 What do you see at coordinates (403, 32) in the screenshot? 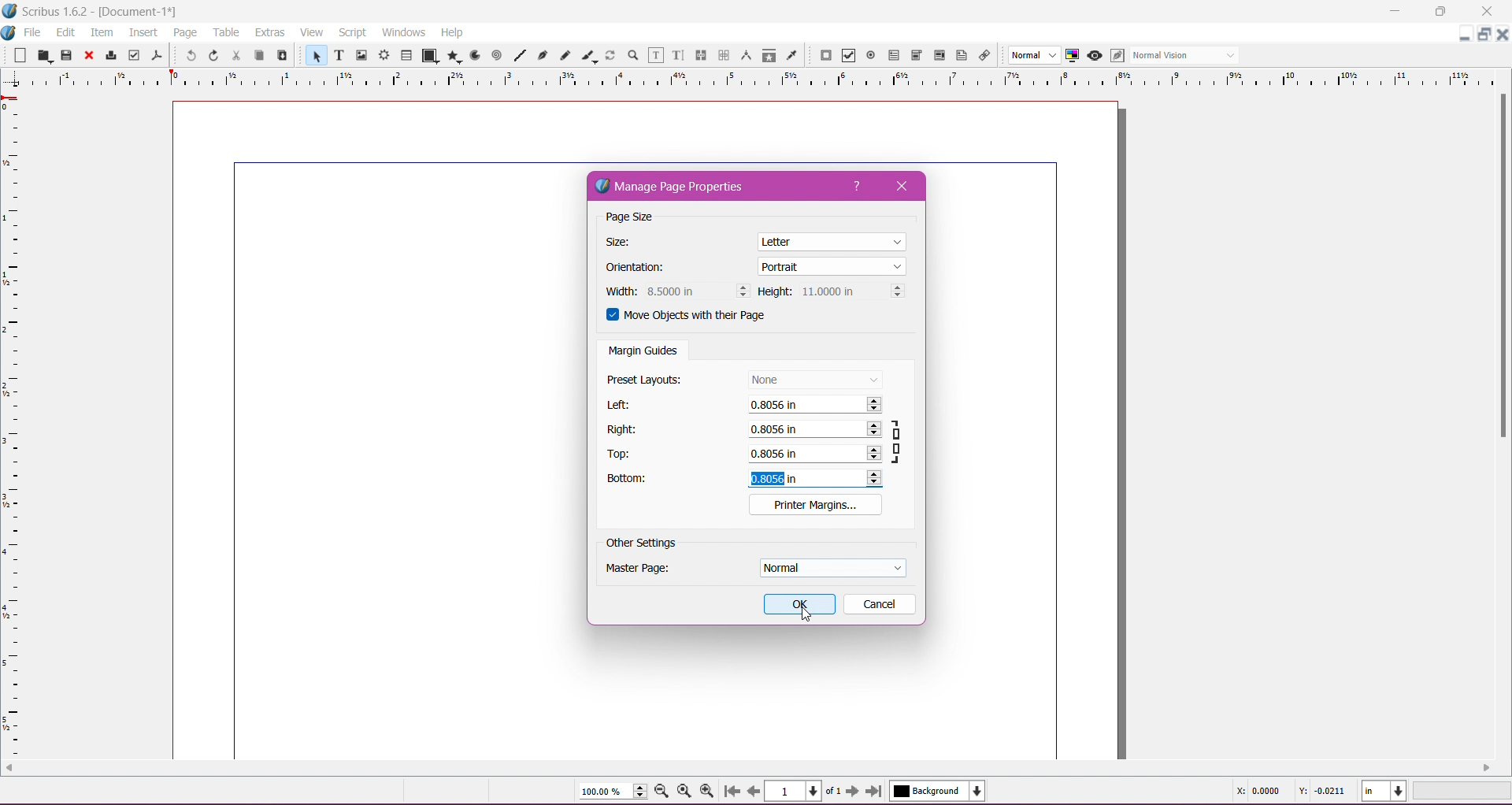
I see `Windows` at bounding box center [403, 32].